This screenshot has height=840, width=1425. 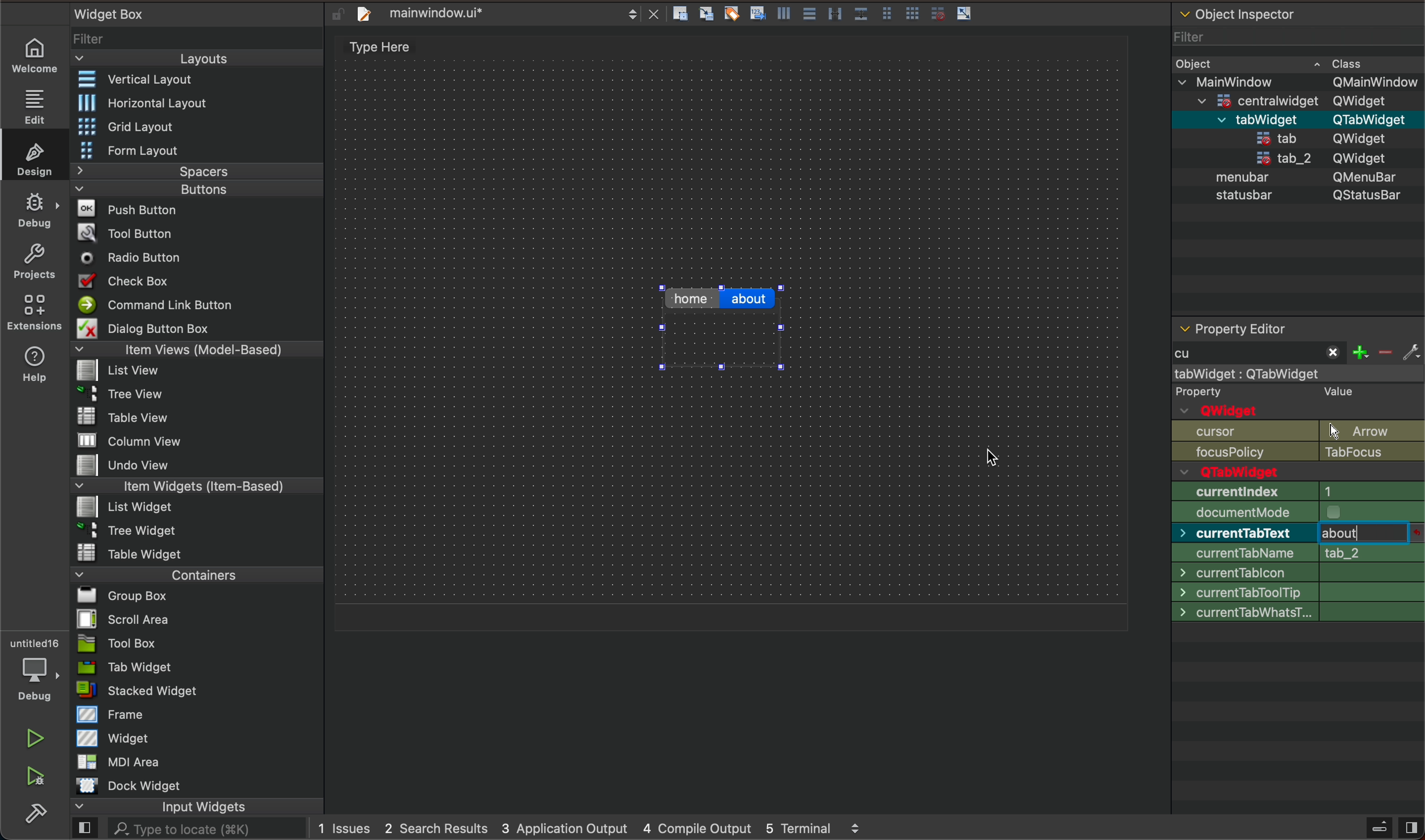 What do you see at coordinates (37, 310) in the screenshot?
I see `extensions` at bounding box center [37, 310].